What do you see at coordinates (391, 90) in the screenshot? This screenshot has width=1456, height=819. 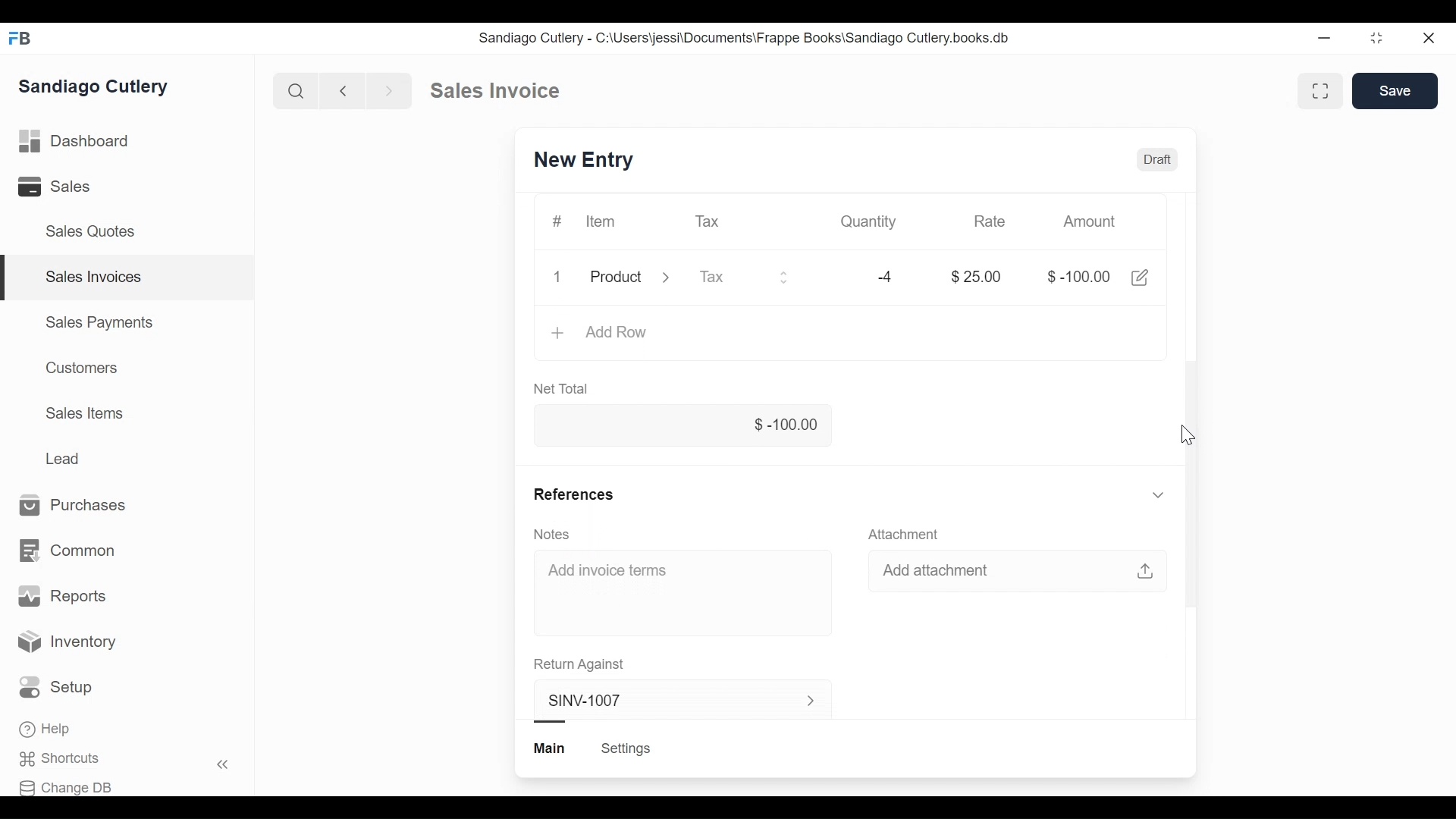 I see `Next` at bounding box center [391, 90].